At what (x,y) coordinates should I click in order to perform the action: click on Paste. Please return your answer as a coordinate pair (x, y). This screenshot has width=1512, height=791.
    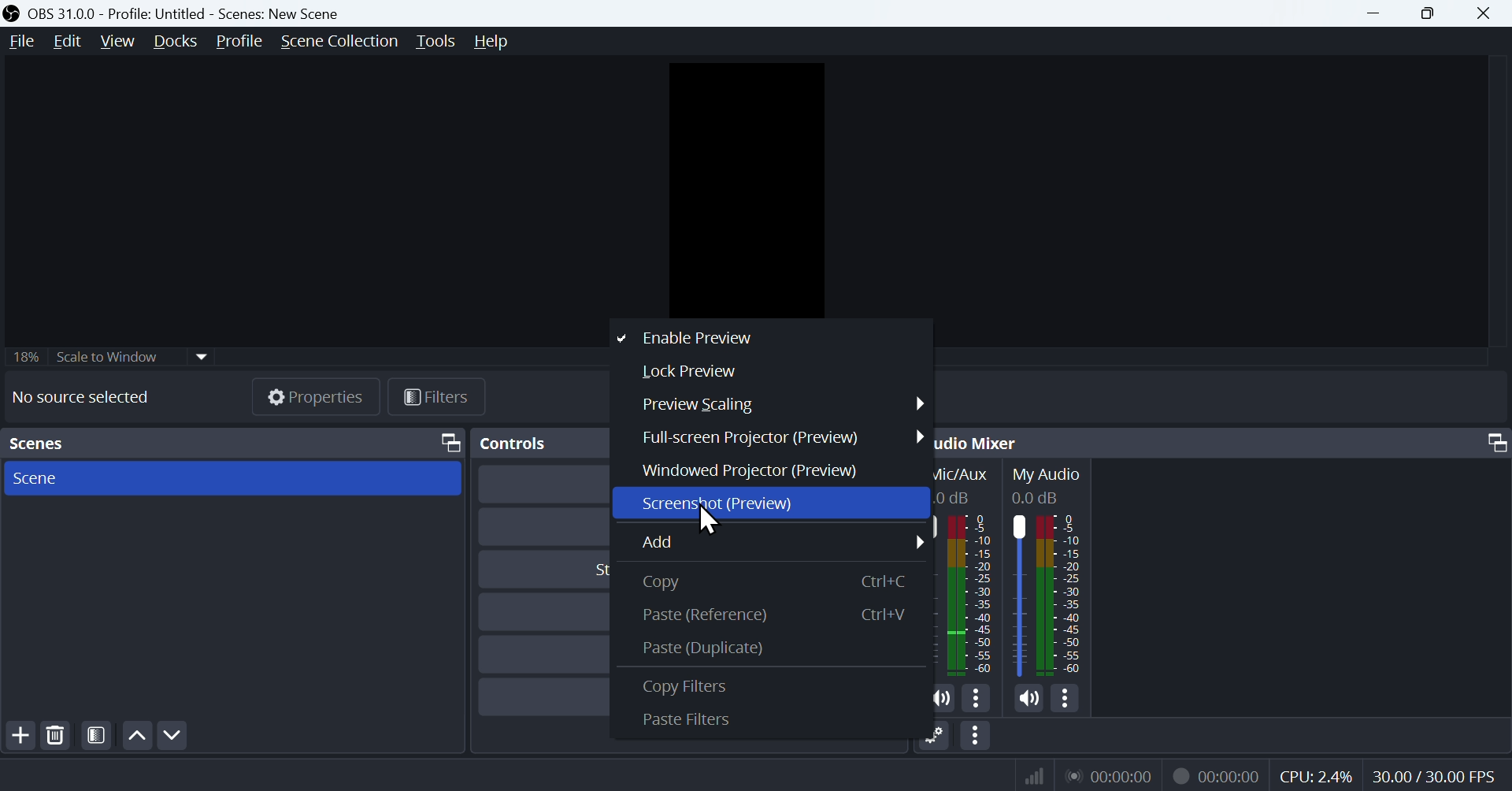
    Looking at the image, I should click on (728, 650).